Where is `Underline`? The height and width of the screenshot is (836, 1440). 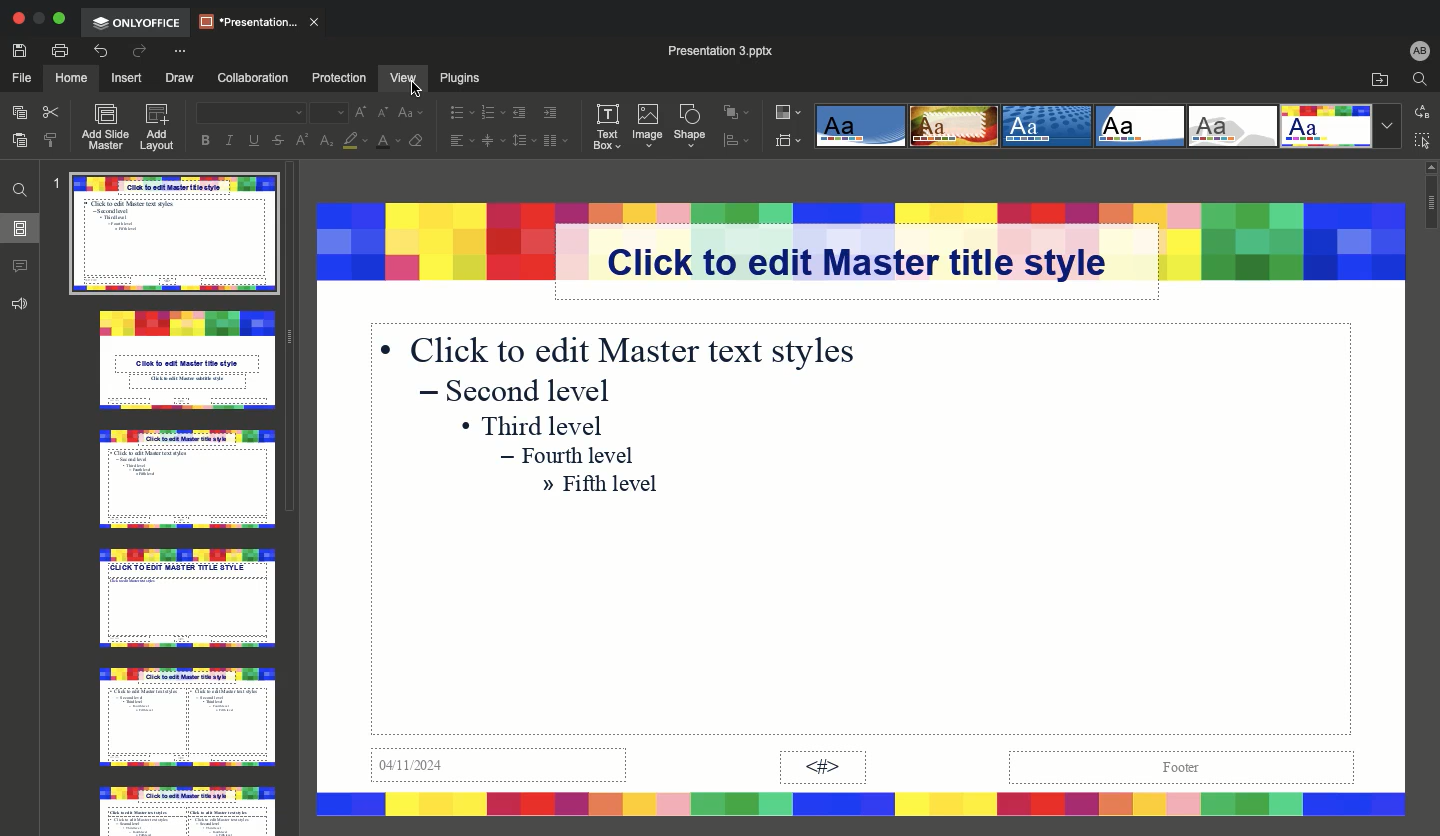
Underline is located at coordinates (254, 140).